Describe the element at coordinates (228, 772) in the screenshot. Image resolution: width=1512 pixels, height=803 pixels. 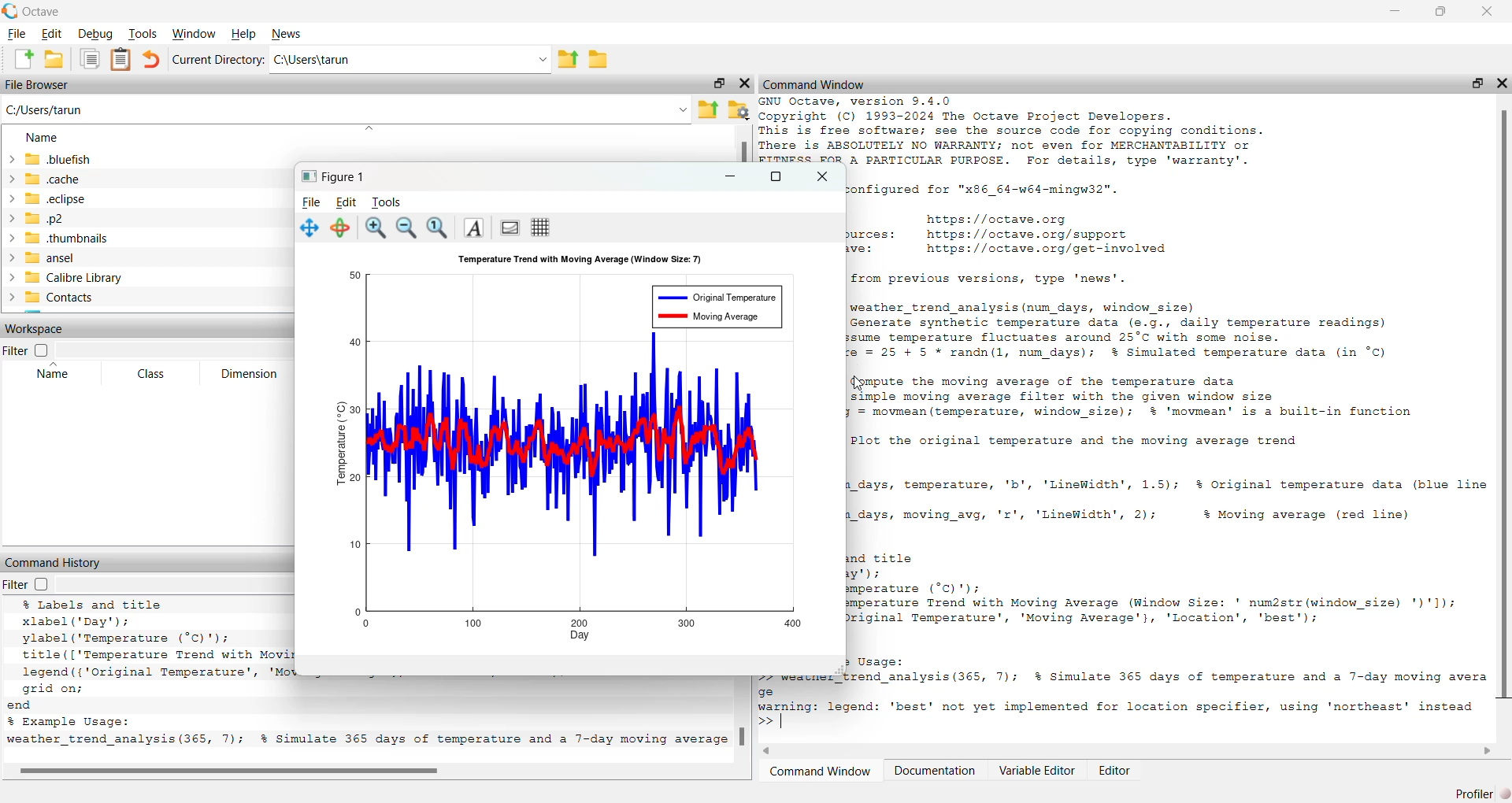
I see `Scrollbar` at that location.